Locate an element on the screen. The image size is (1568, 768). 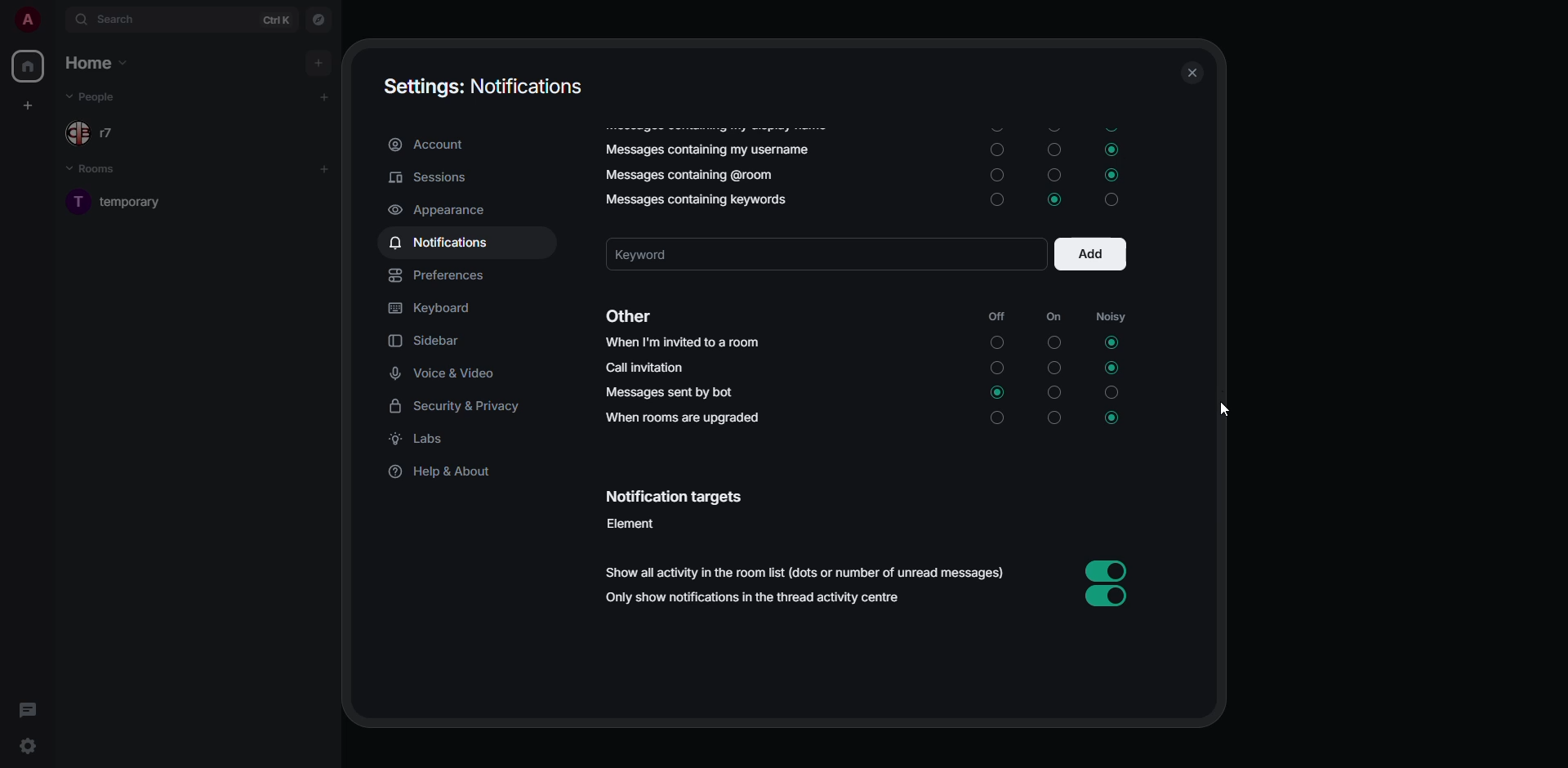
on is located at coordinates (1053, 318).